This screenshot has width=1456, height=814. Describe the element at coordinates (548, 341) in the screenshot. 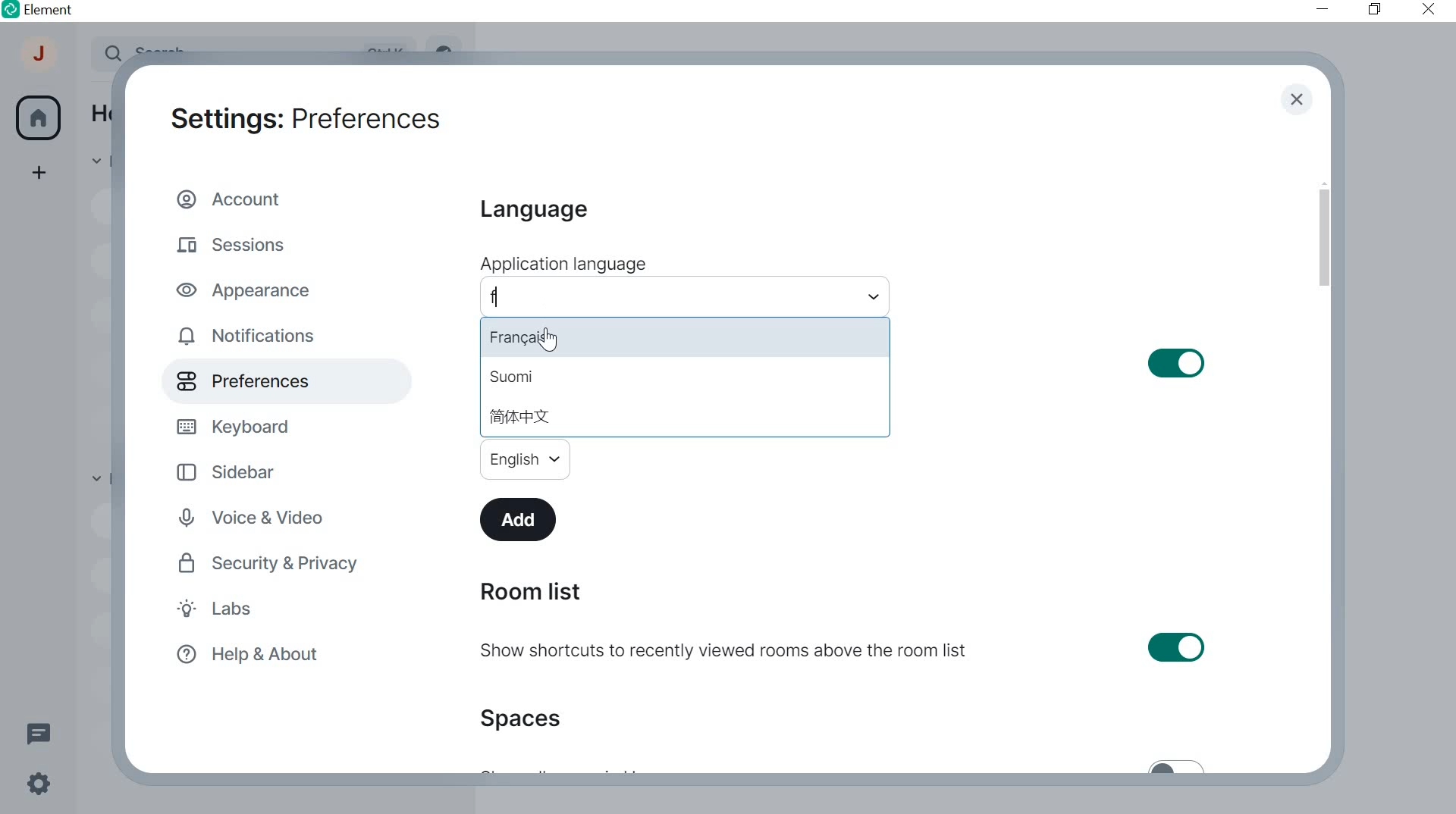

I see `CURSOR` at that location.